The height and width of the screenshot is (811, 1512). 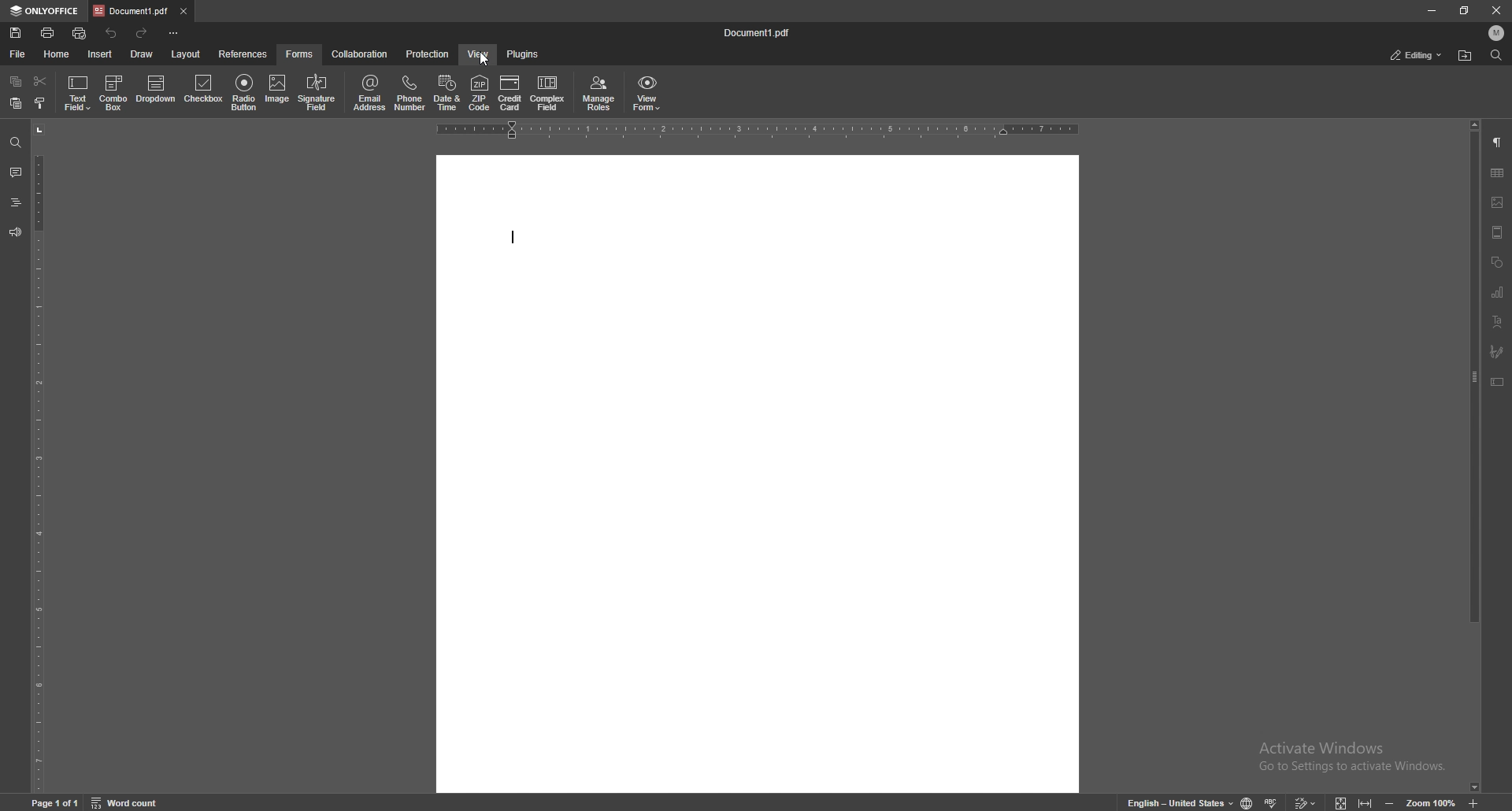 I want to click on profile, so click(x=1497, y=33).